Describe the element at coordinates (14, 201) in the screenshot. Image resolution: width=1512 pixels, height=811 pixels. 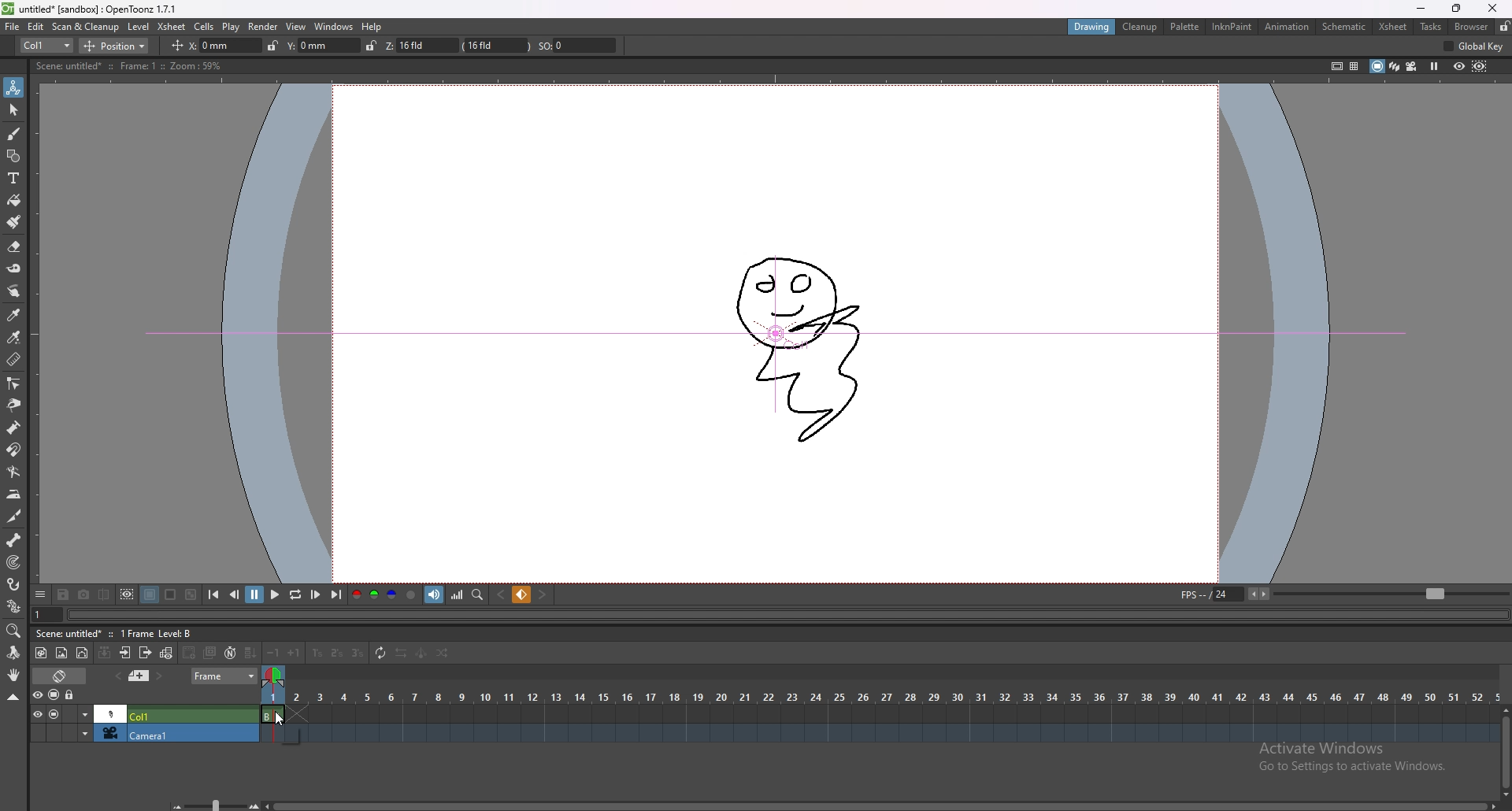
I see `fill` at that location.